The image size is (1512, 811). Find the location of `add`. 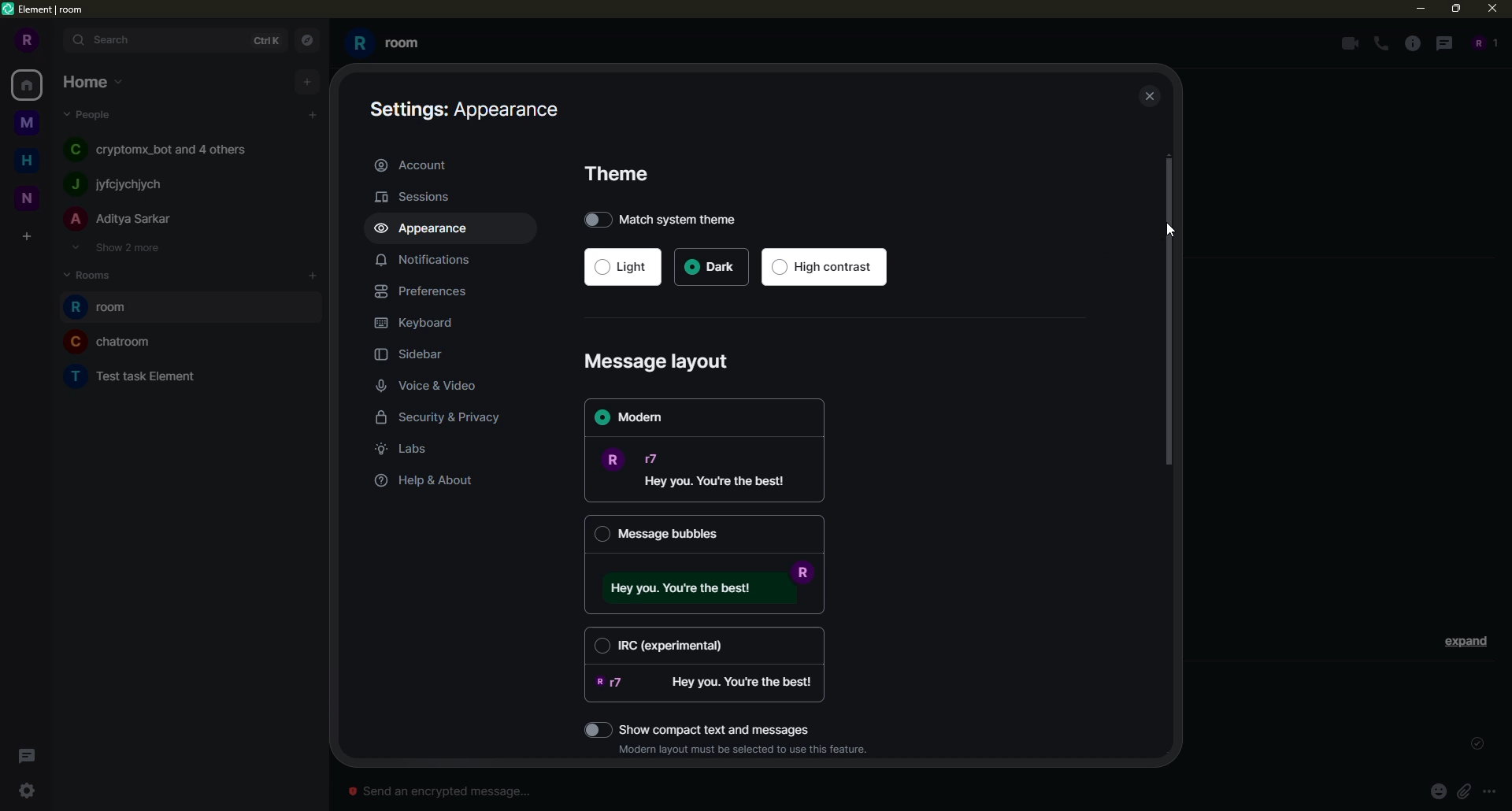

add is located at coordinates (314, 275).